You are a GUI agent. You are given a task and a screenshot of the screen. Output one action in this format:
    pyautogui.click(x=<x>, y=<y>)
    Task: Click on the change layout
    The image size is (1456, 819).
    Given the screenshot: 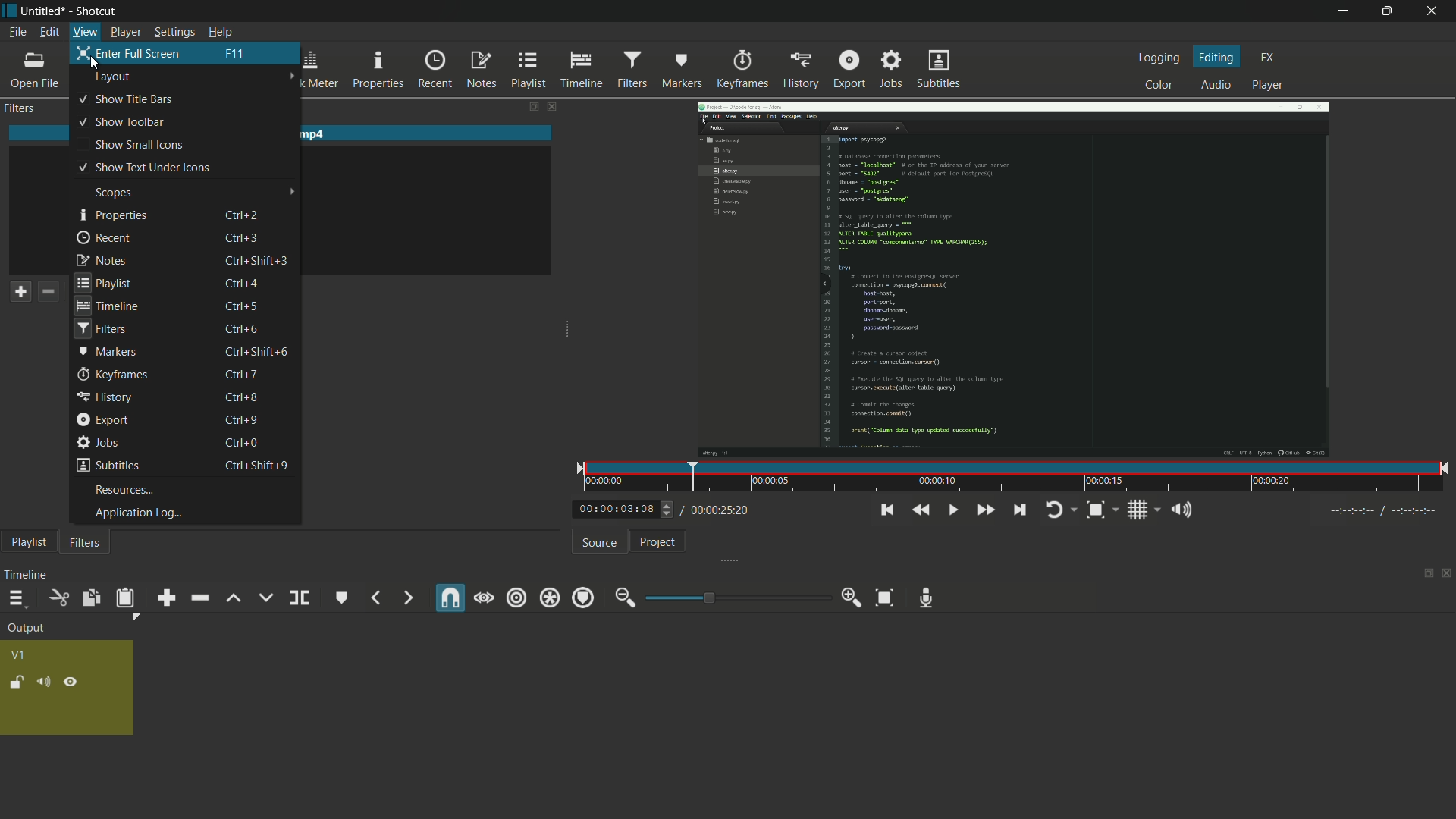 What is the action you would take?
    pyautogui.click(x=1426, y=573)
    